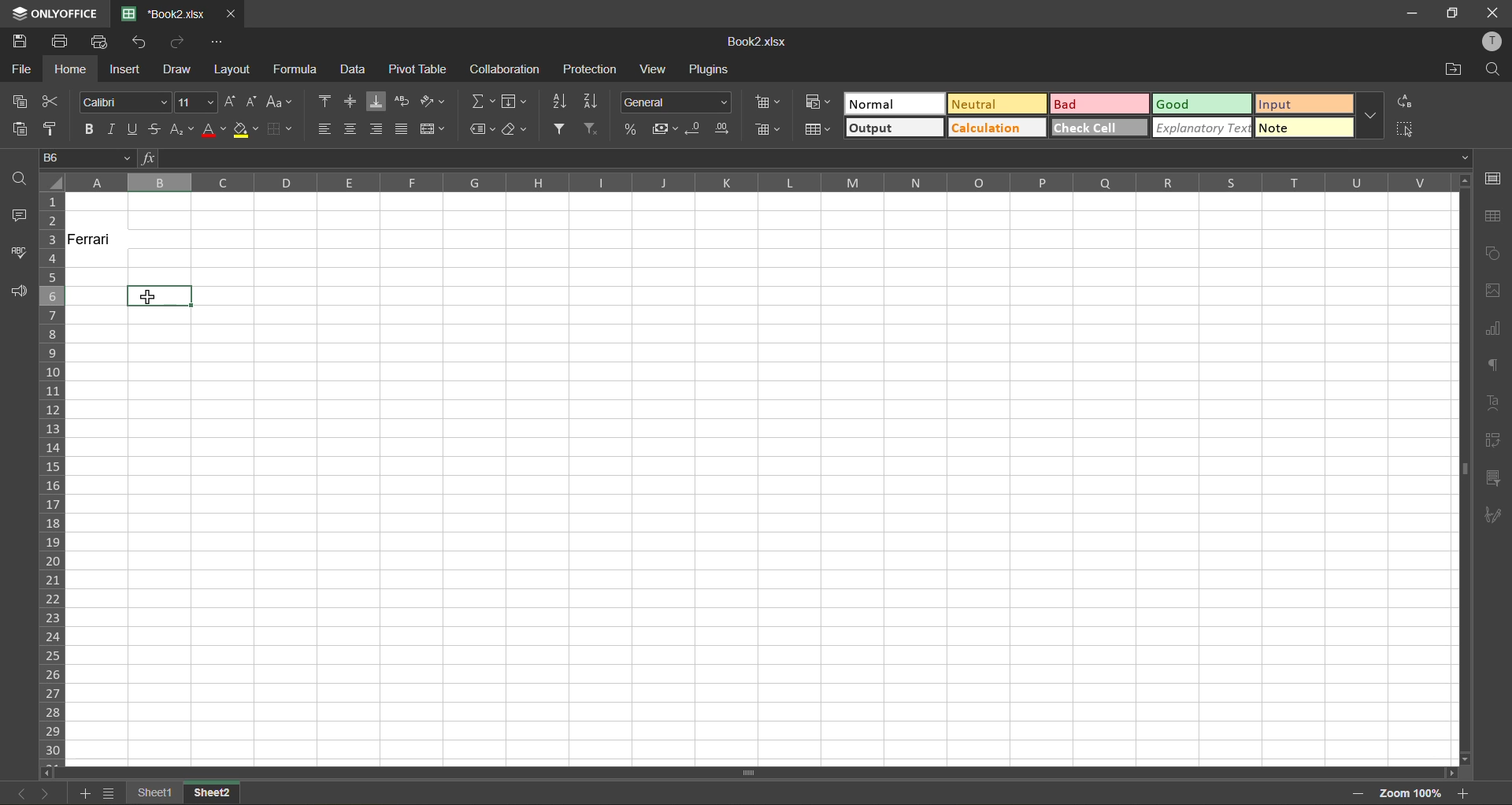 The height and width of the screenshot is (805, 1512). Describe the element at coordinates (232, 101) in the screenshot. I see `increment size` at that location.